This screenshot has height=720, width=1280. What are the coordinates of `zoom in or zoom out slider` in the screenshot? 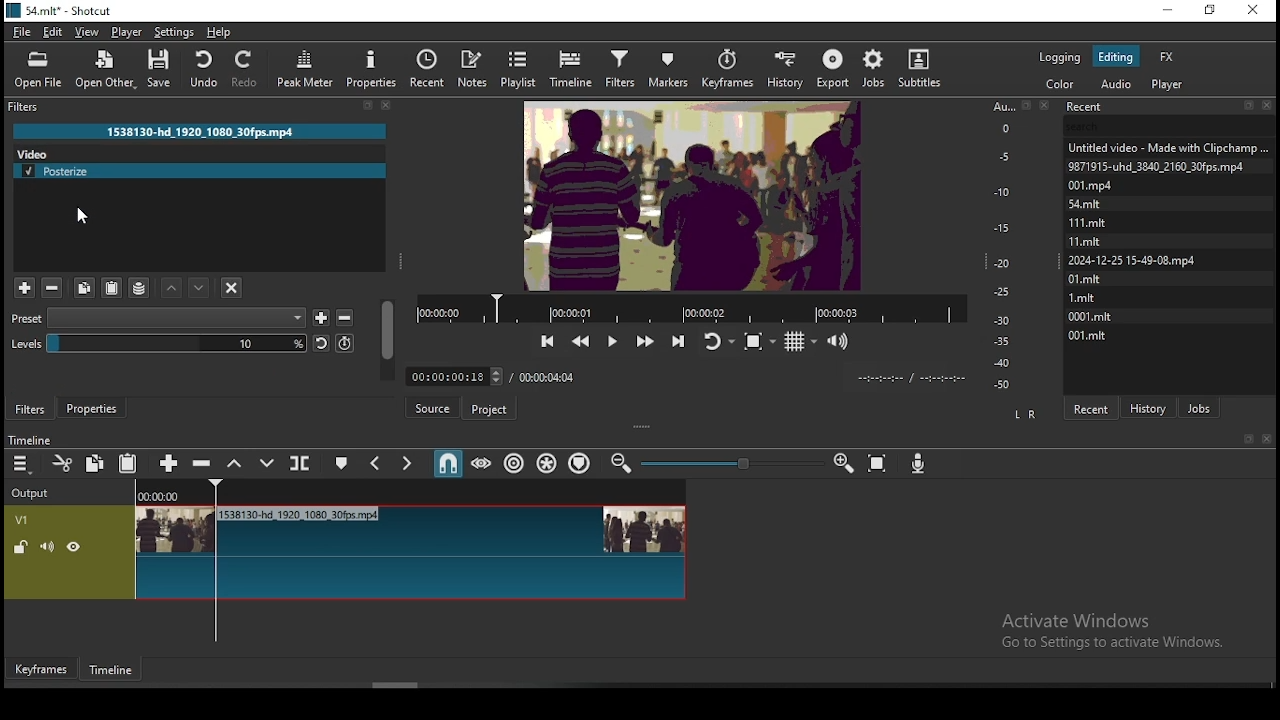 It's located at (728, 463).